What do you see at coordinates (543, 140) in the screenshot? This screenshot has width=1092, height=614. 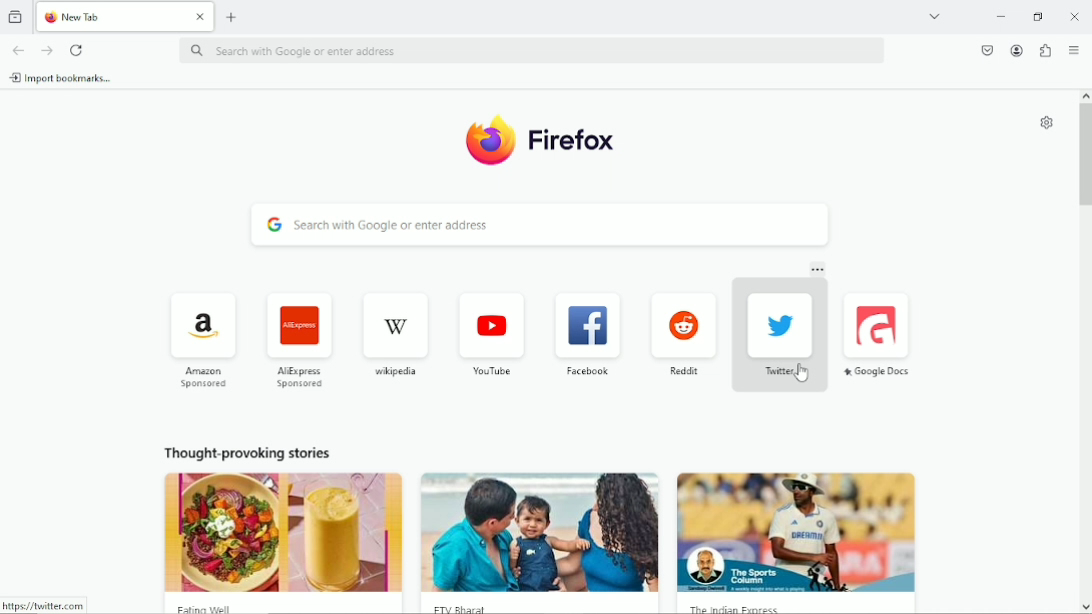 I see `Firefox` at bounding box center [543, 140].